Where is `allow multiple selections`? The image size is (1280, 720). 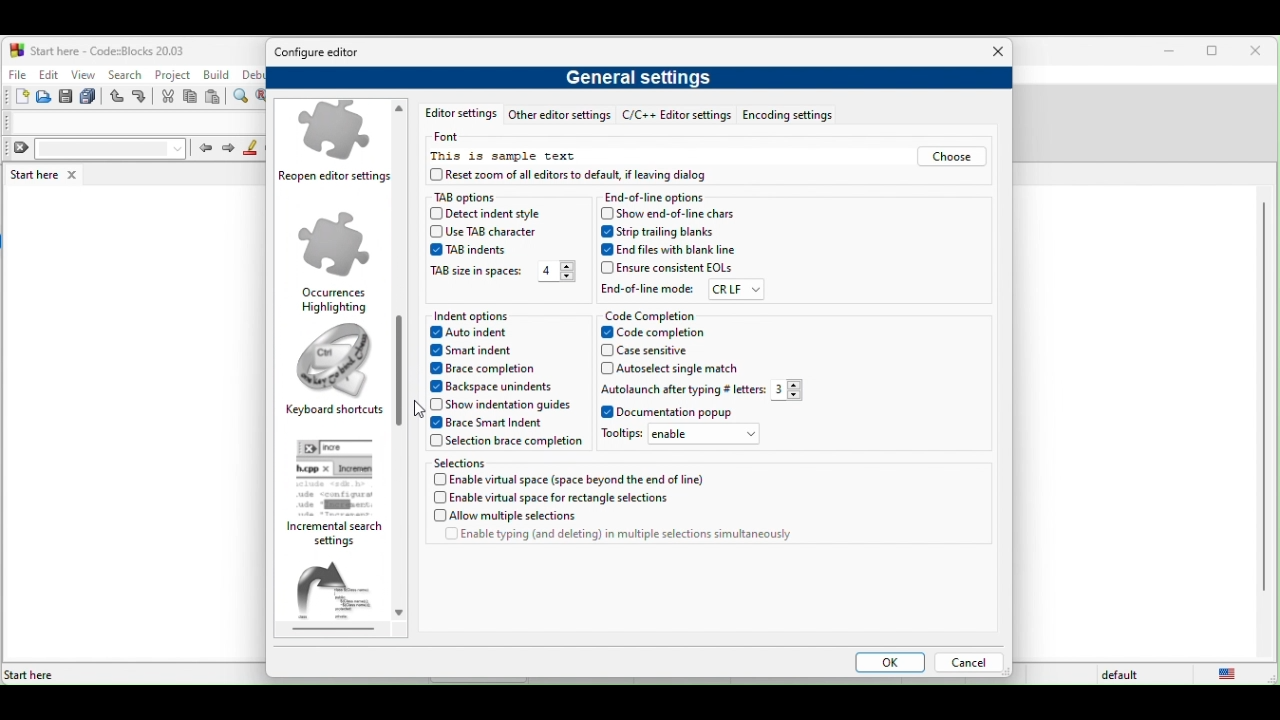
allow multiple selections is located at coordinates (552, 517).